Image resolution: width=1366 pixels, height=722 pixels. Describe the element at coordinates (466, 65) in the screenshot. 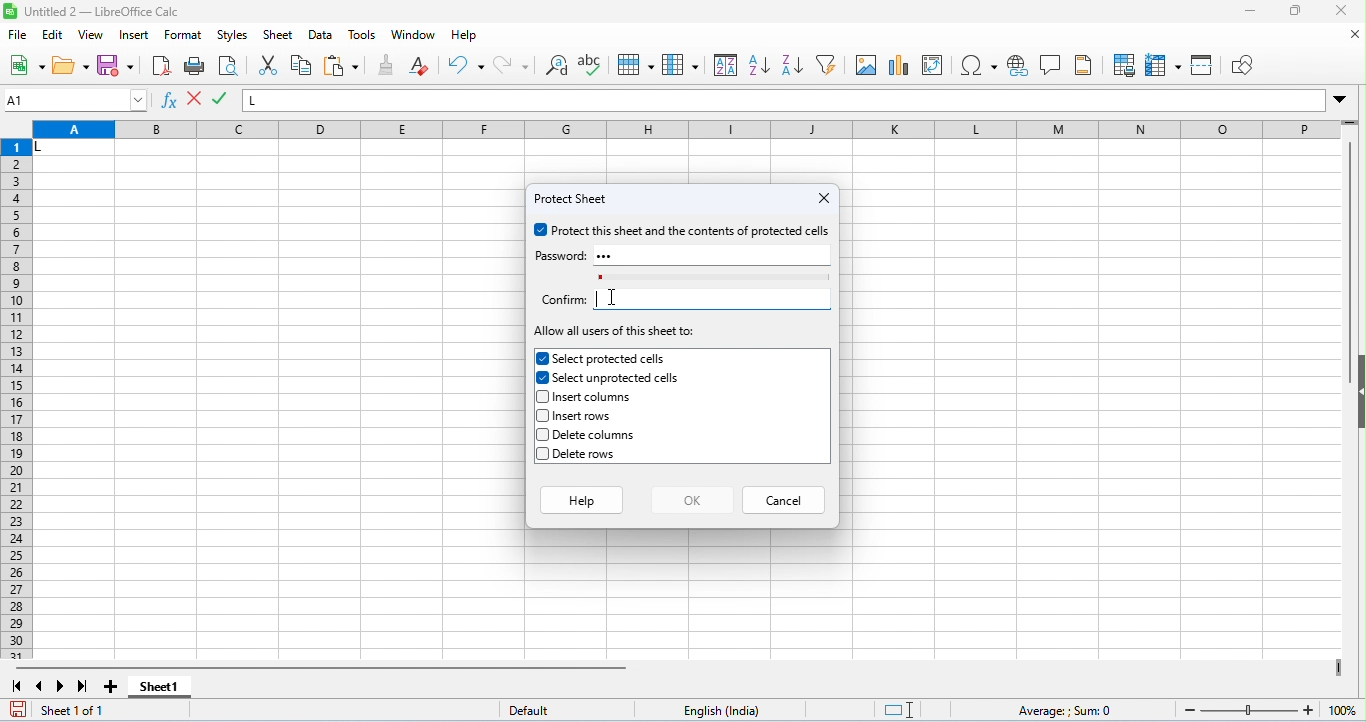

I see `undo ` at that location.